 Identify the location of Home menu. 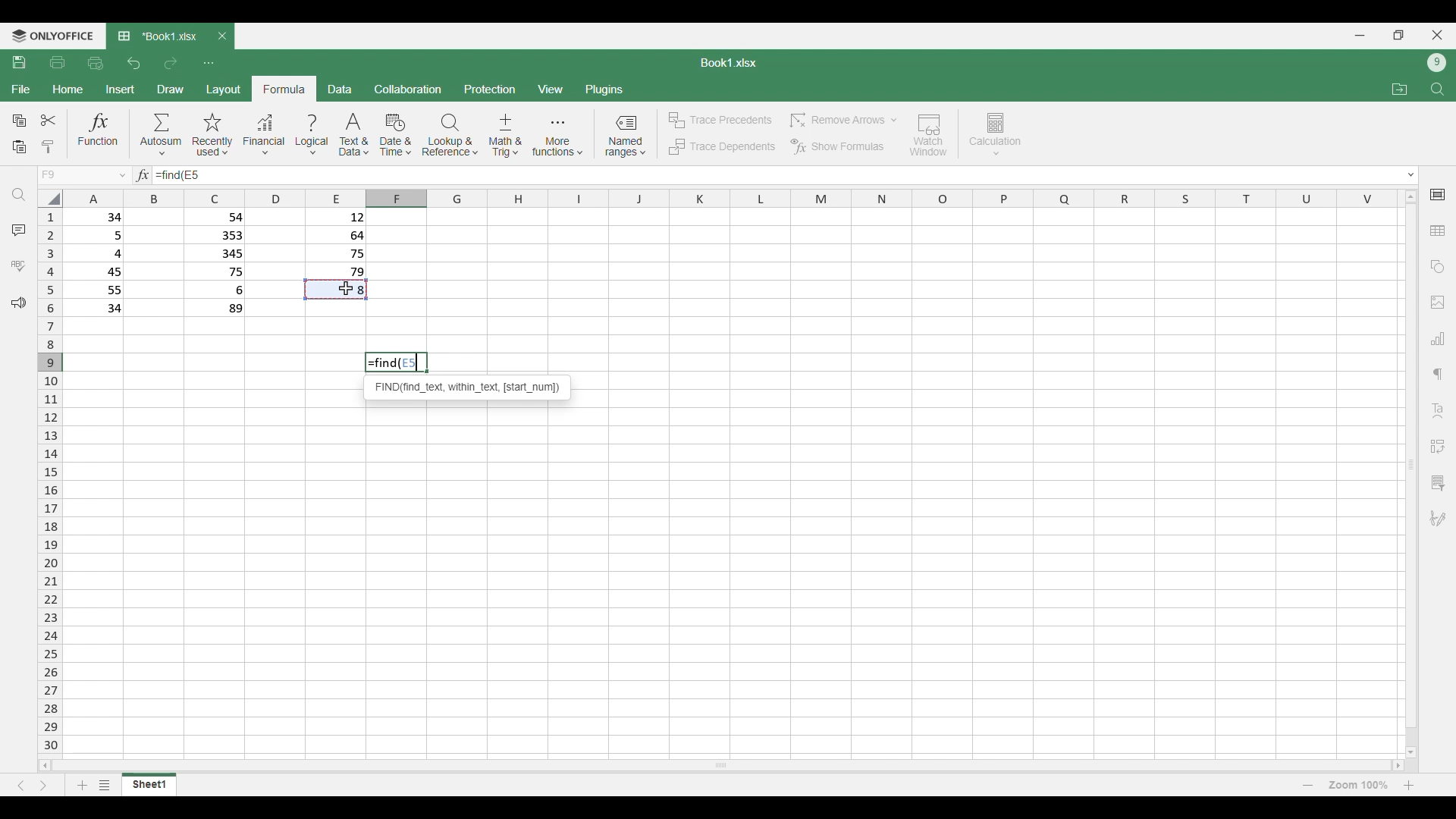
(67, 89).